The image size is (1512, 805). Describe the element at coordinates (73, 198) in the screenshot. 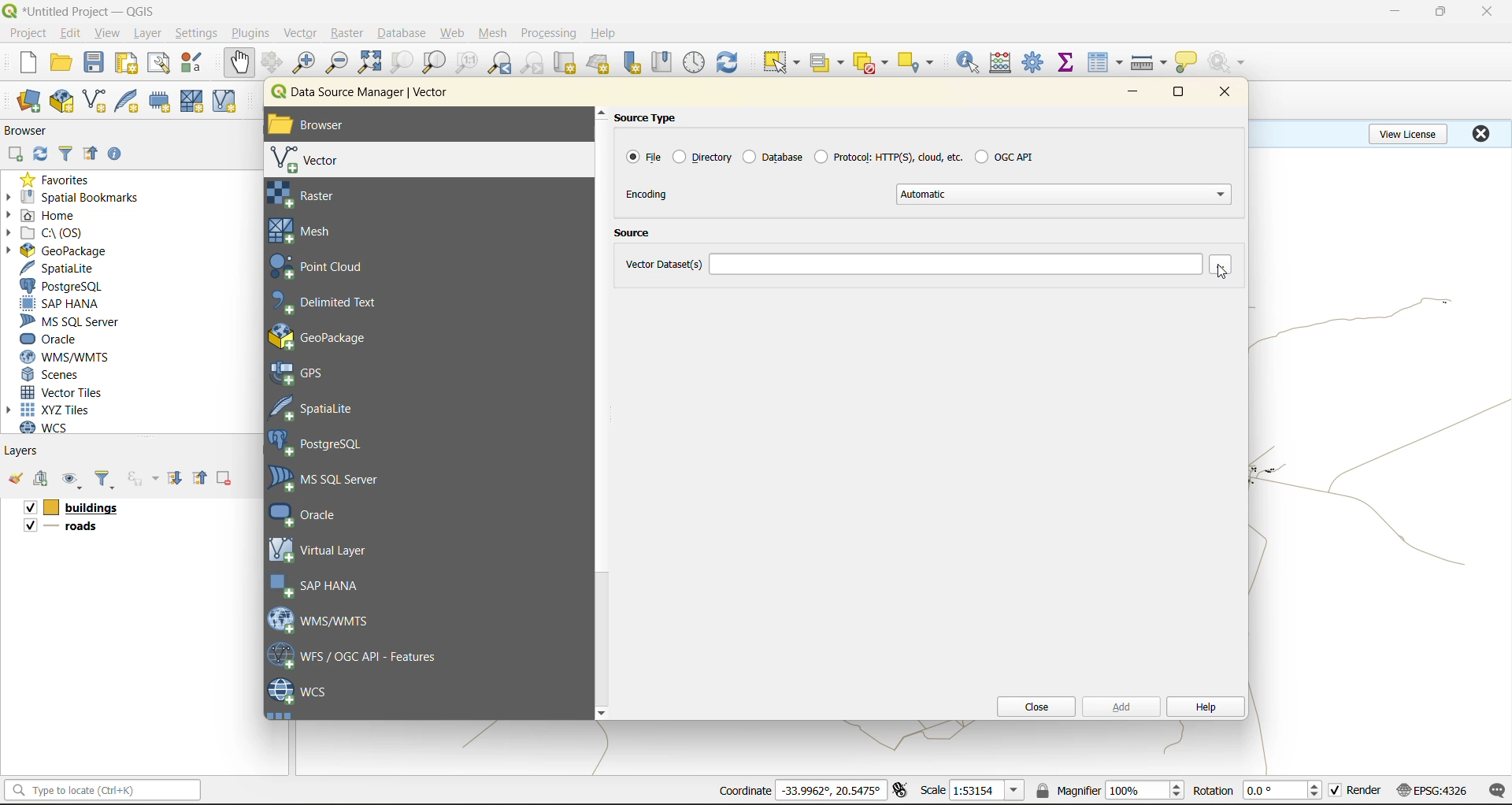

I see `spatial bookmarks` at that location.